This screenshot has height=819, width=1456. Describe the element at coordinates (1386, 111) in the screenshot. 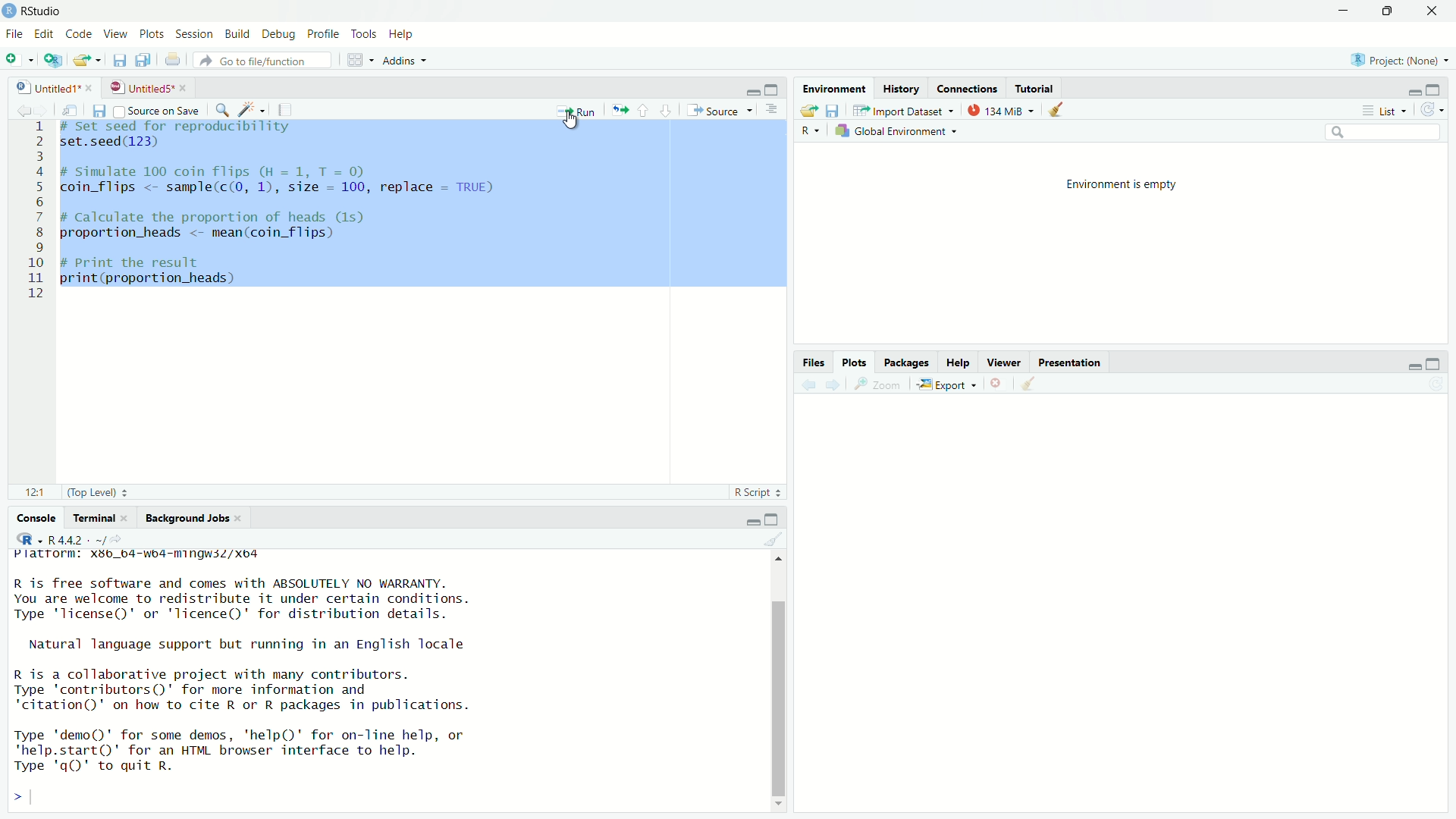

I see `list` at that location.